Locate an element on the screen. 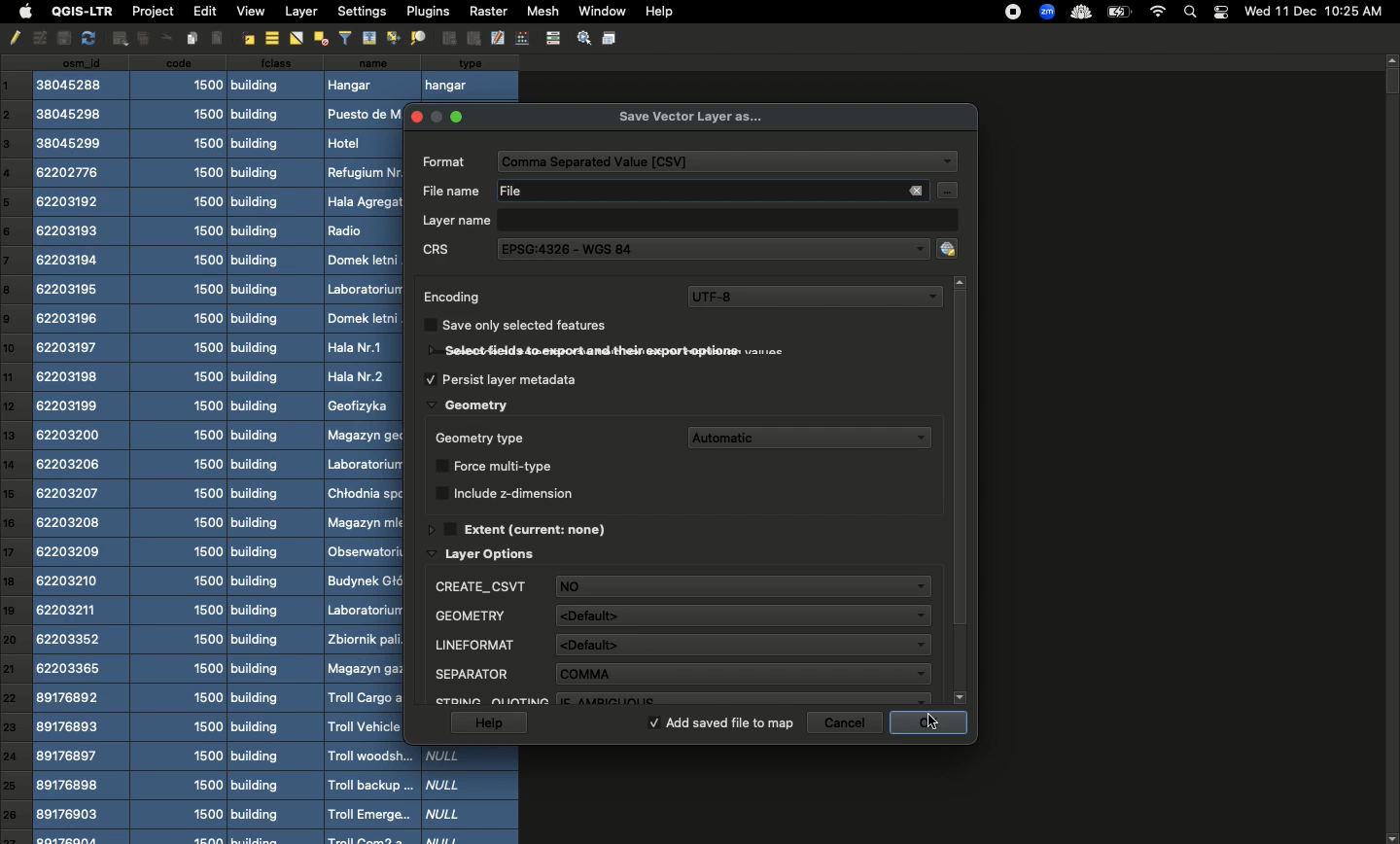 The image size is (1400, 844). format is located at coordinates (444, 159).